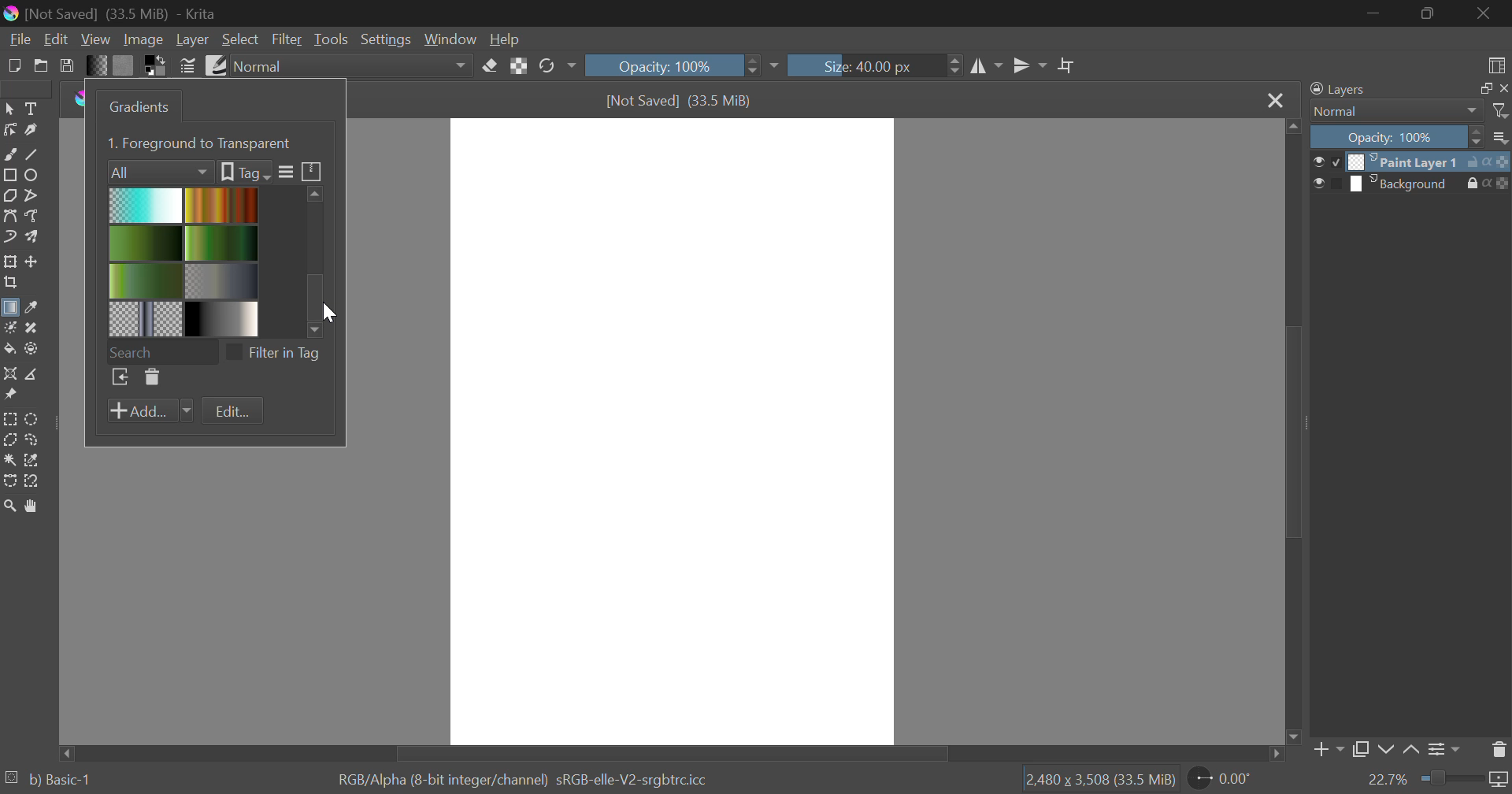 This screenshot has width=1512, height=794. What do you see at coordinates (876, 64) in the screenshot?
I see `Size: 40.00 px` at bounding box center [876, 64].